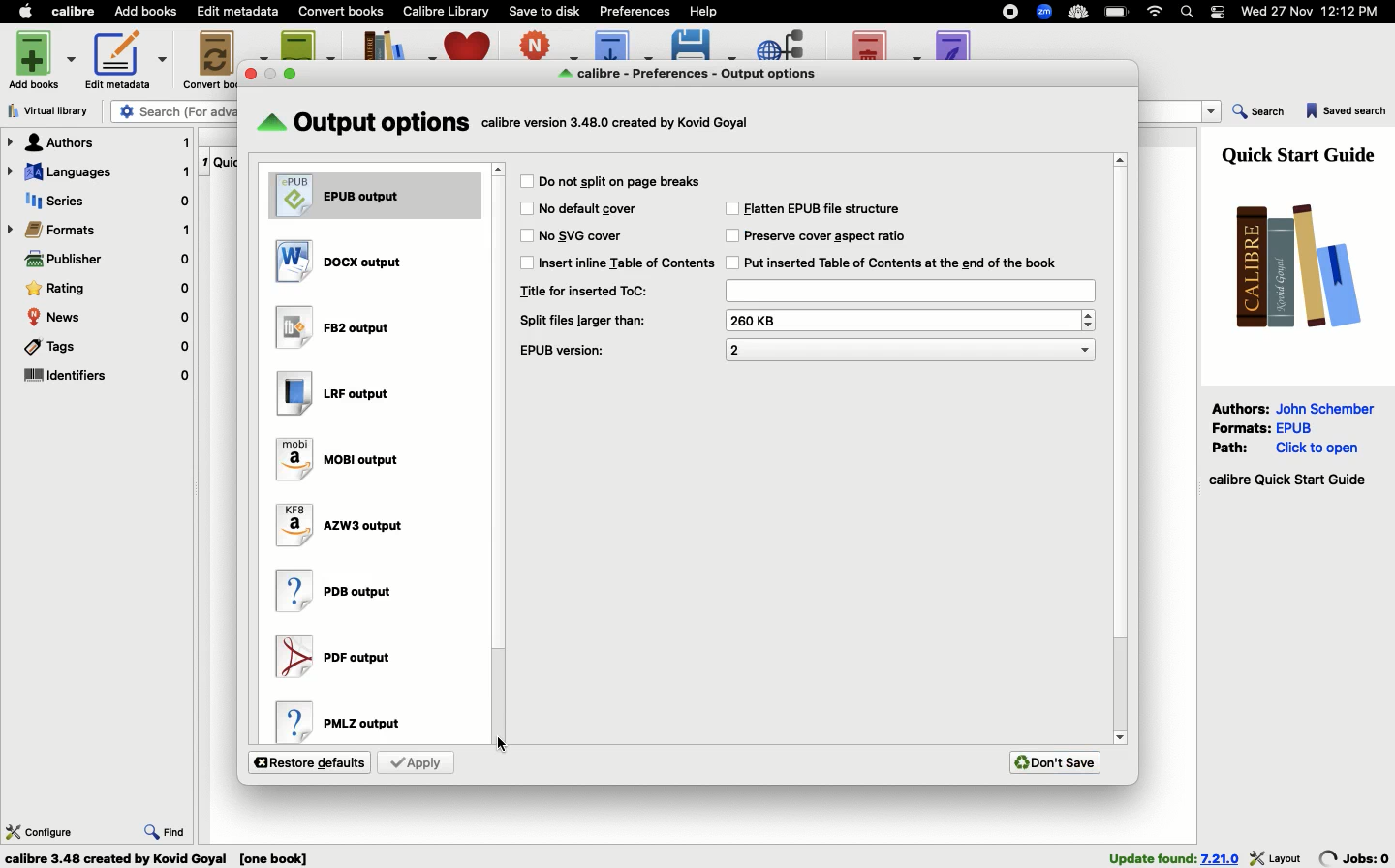 The width and height of the screenshot is (1395, 868). Describe the element at coordinates (1347, 112) in the screenshot. I see `Saved search` at that location.